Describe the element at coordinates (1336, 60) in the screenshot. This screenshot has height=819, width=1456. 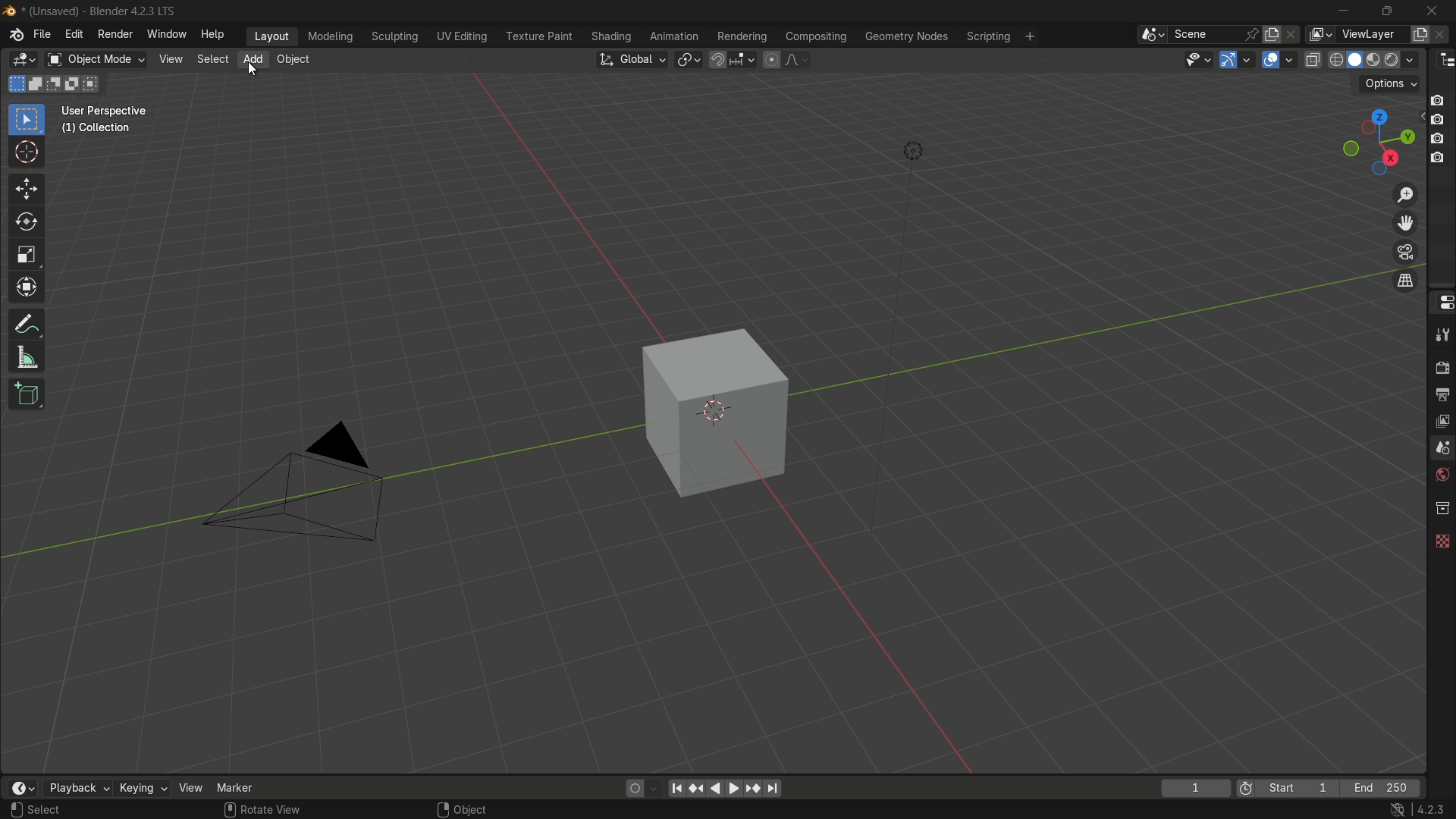
I see `wireframe` at that location.